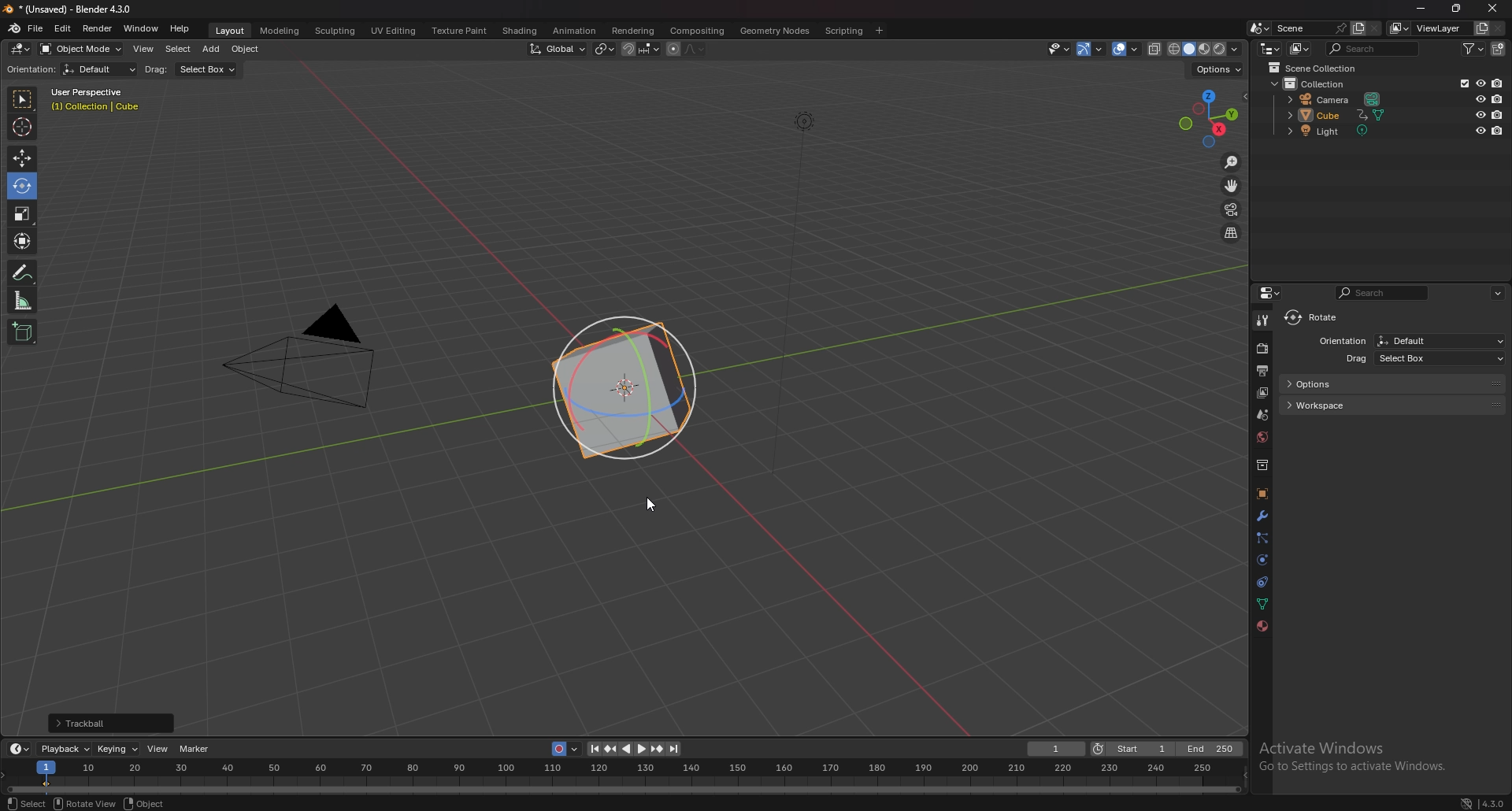 This screenshot has height=811, width=1512. Describe the element at coordinates (21, 49) in the screenshot. I see `editor type` at that location.